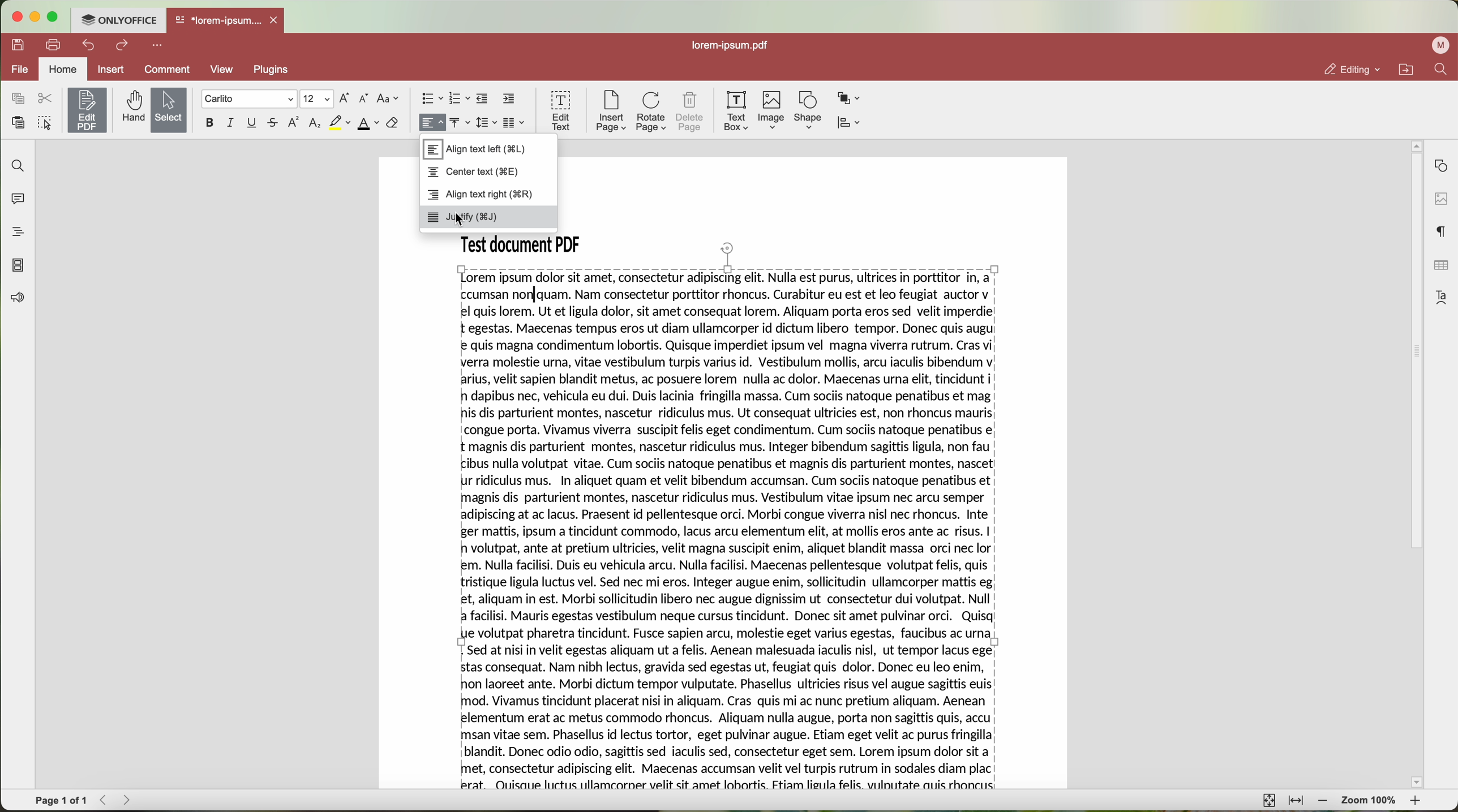 The height and width of the screenshot is (812, 1458). Describe the element at coordinates (368, 124) in the screenshot. I see `font color` at that location.